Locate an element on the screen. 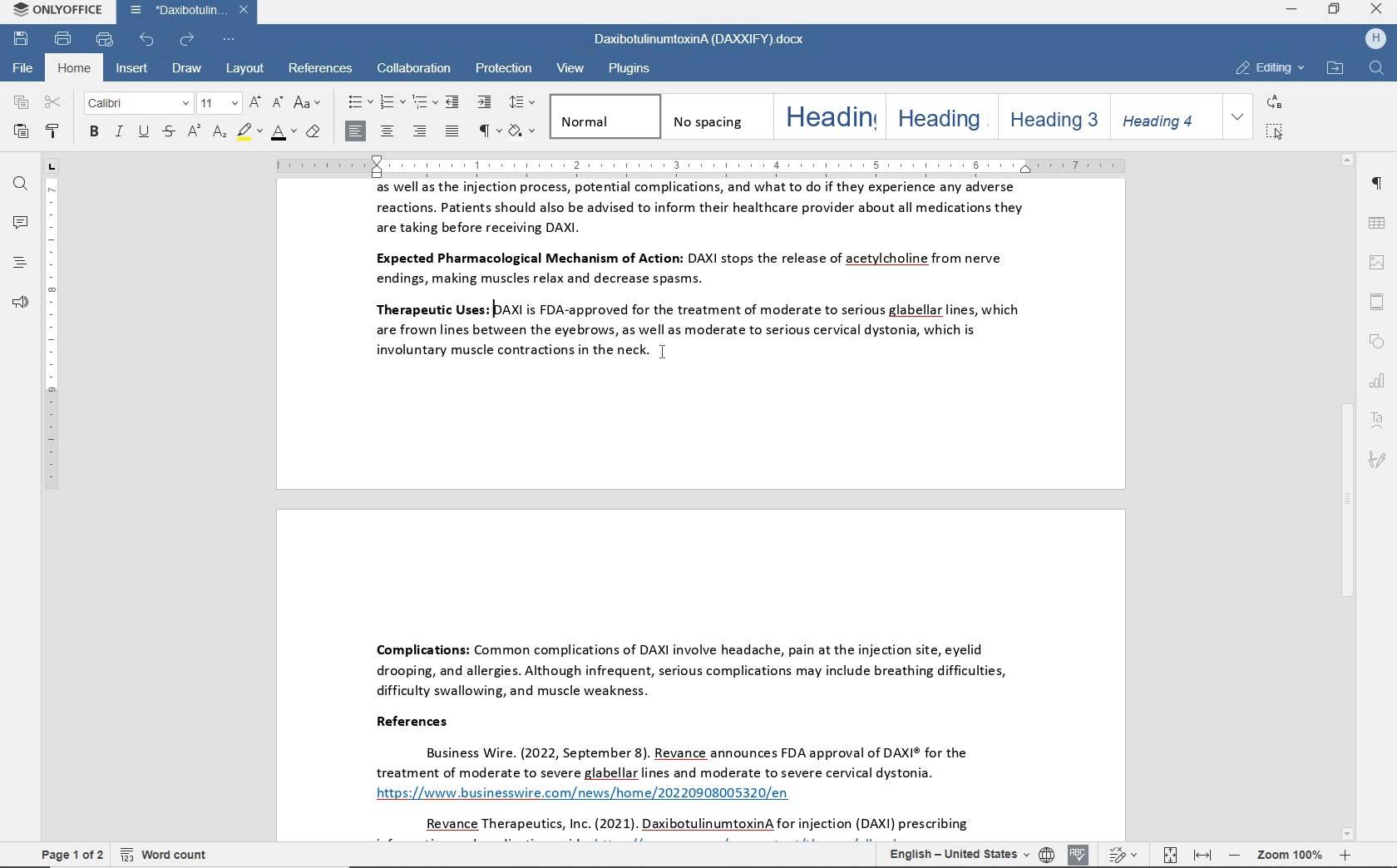  copy is located at coordinates (22, 104).